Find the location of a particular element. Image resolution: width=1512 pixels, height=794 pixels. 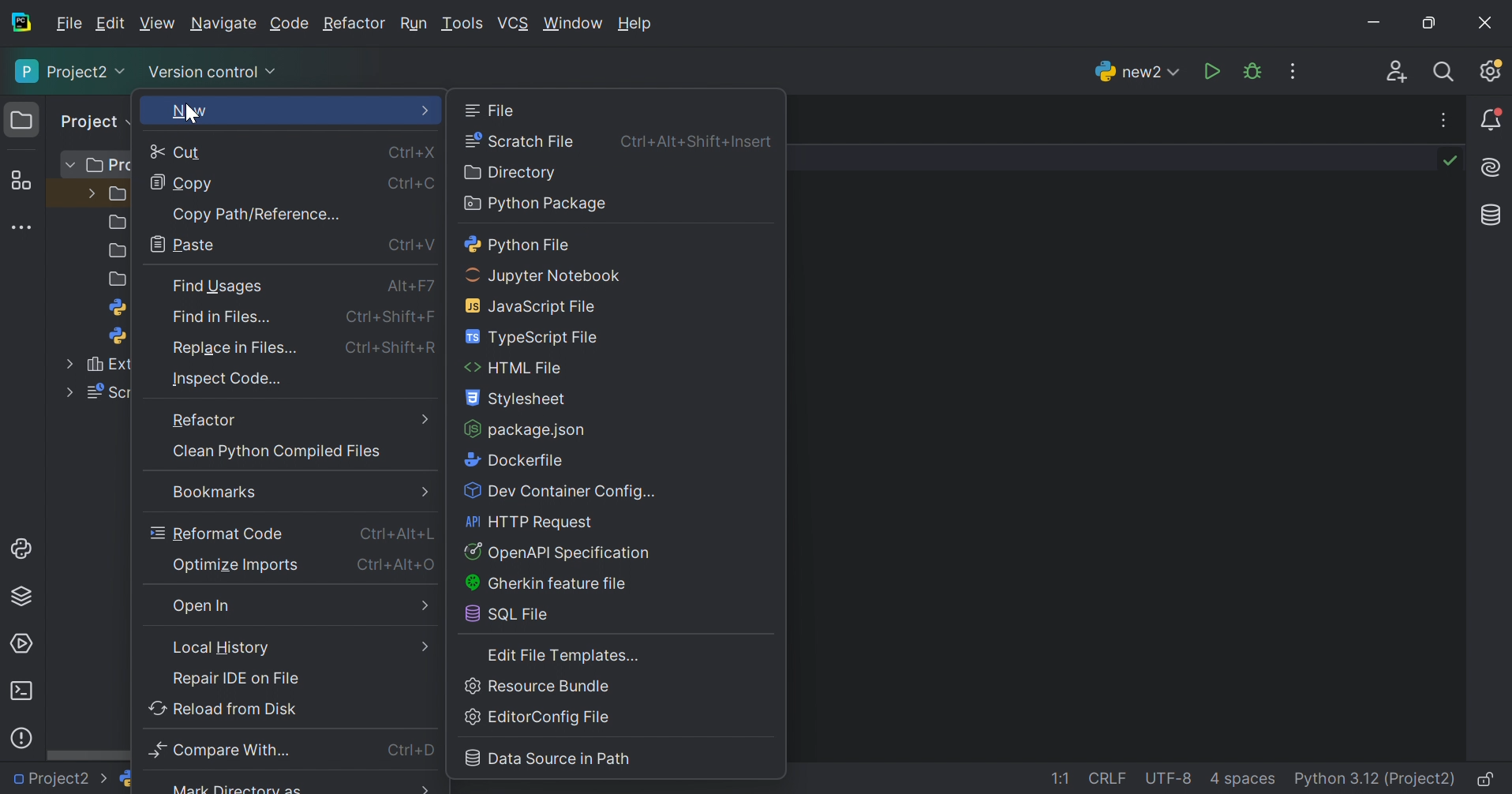

Local history is located at coordinates (224, 646).